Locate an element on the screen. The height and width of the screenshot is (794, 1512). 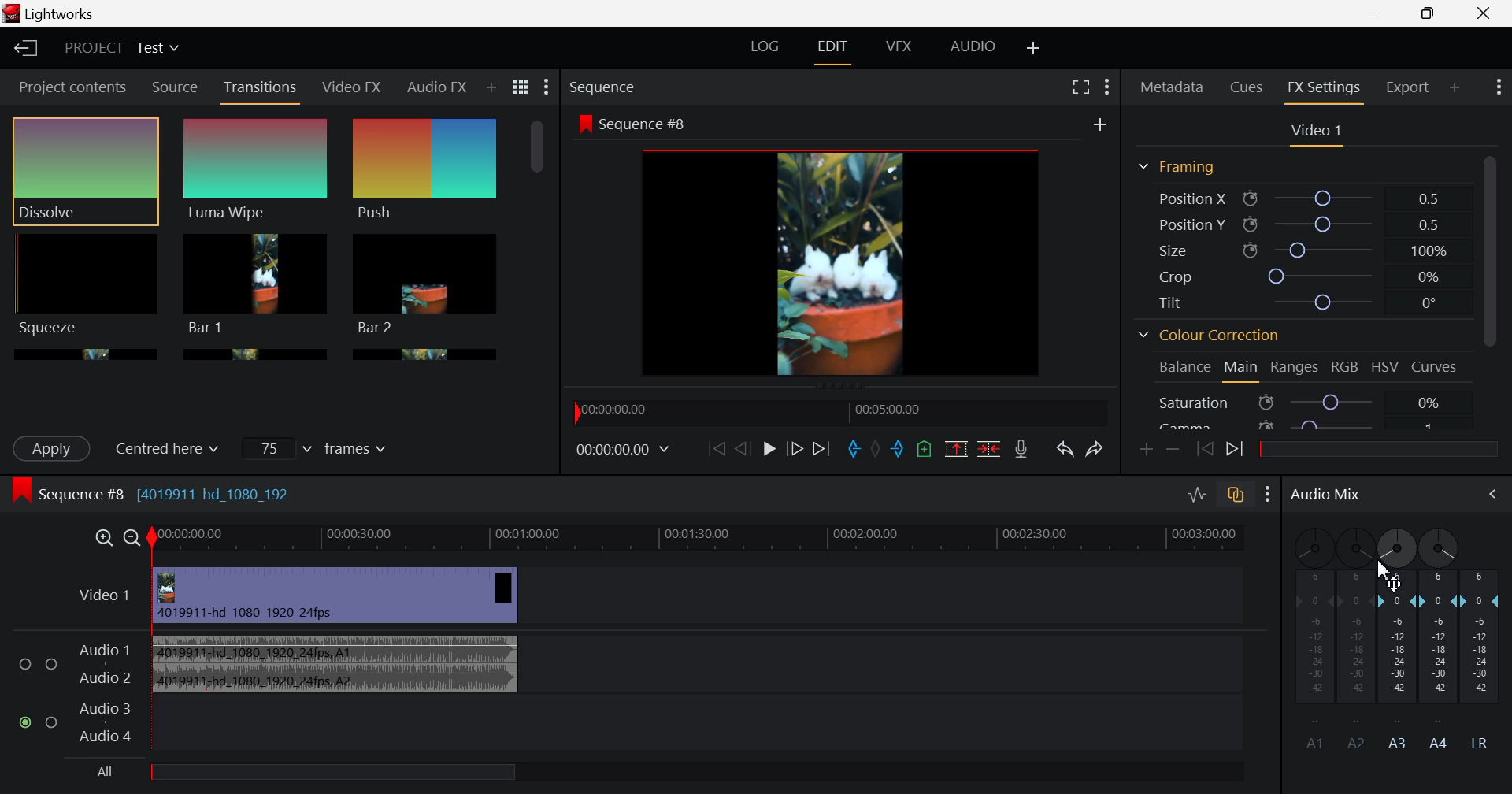
A3 Channel Decibel Level is located at coordinates (1398, 662).